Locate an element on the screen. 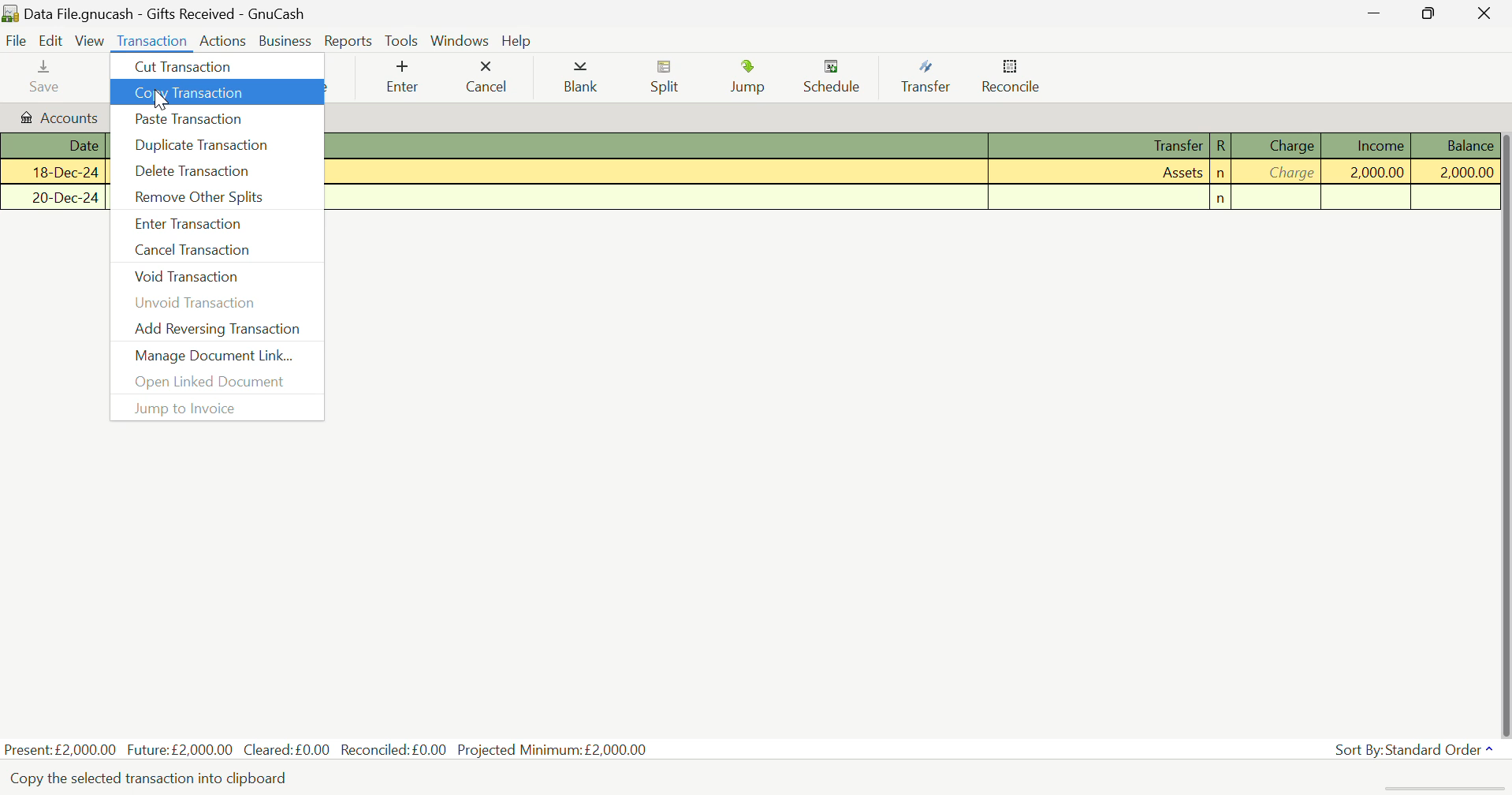 This screenshot has height=795, width=1512. Reconciled is located at coordinates (397, 748).